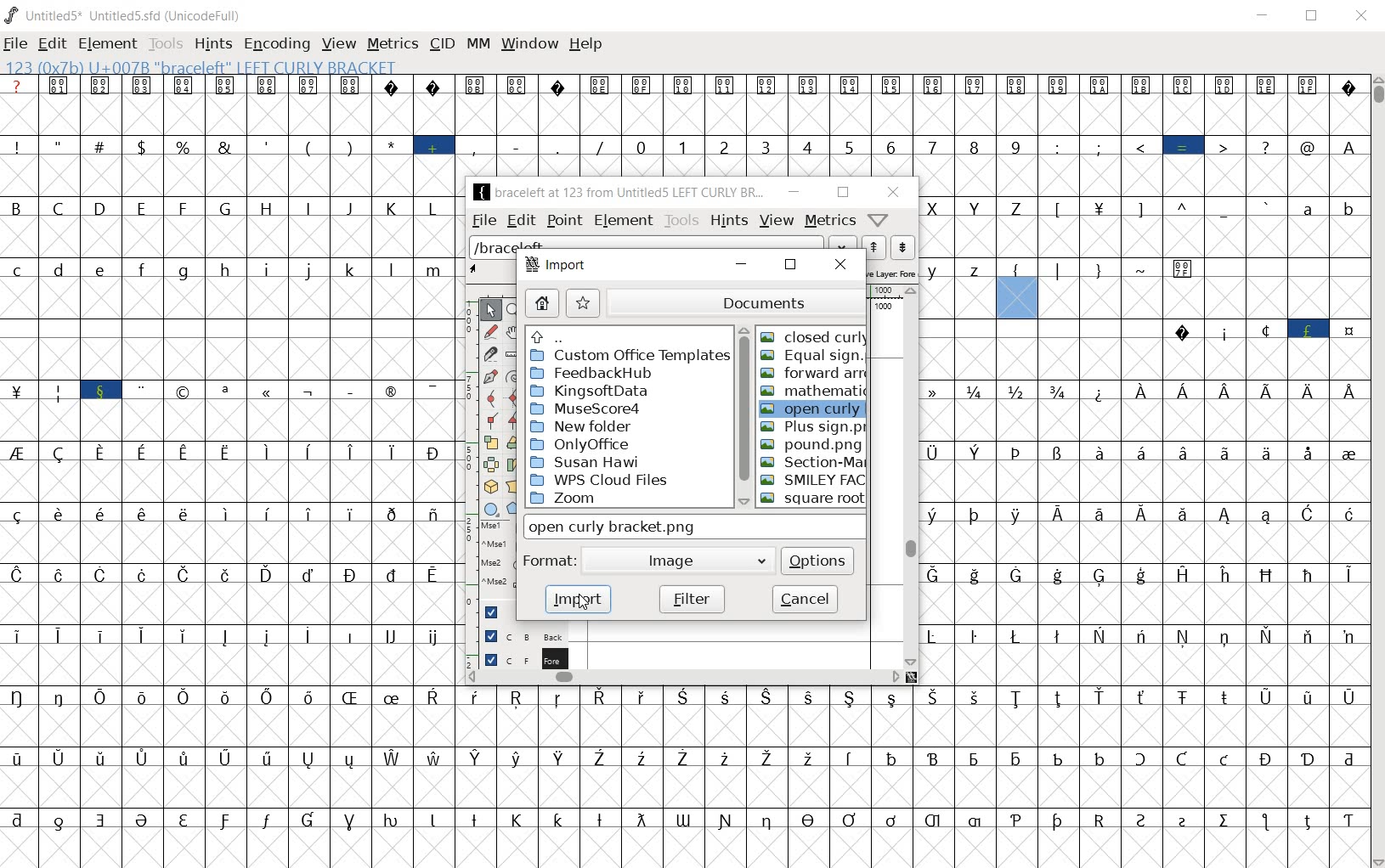 The width and height of the screenshot is (1385, 868). I want to click on WPS Cloud Files, so click(601, 479).